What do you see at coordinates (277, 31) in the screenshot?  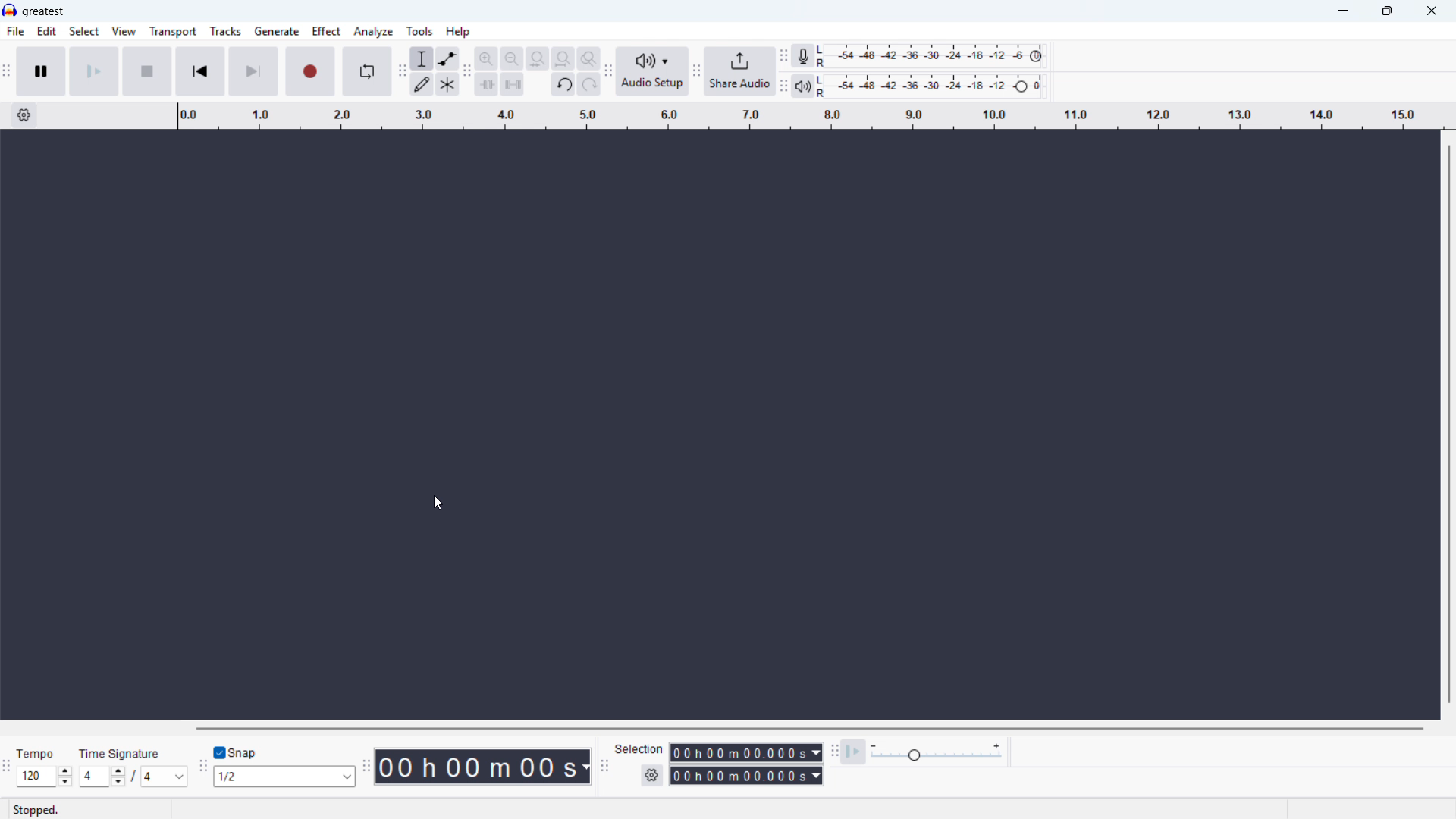 I see `Generate ` at bounding box center [277, 31].